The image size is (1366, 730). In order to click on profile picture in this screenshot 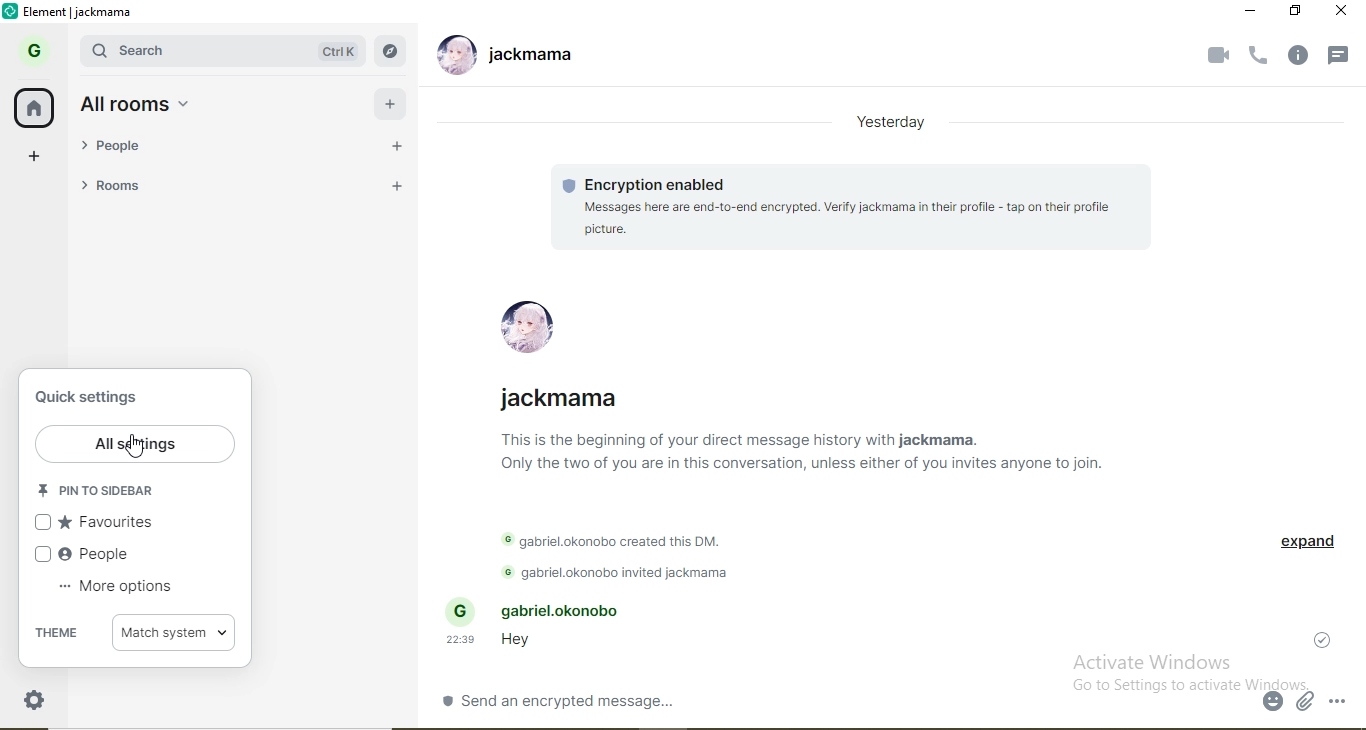, I will do `click(452, 57)`.